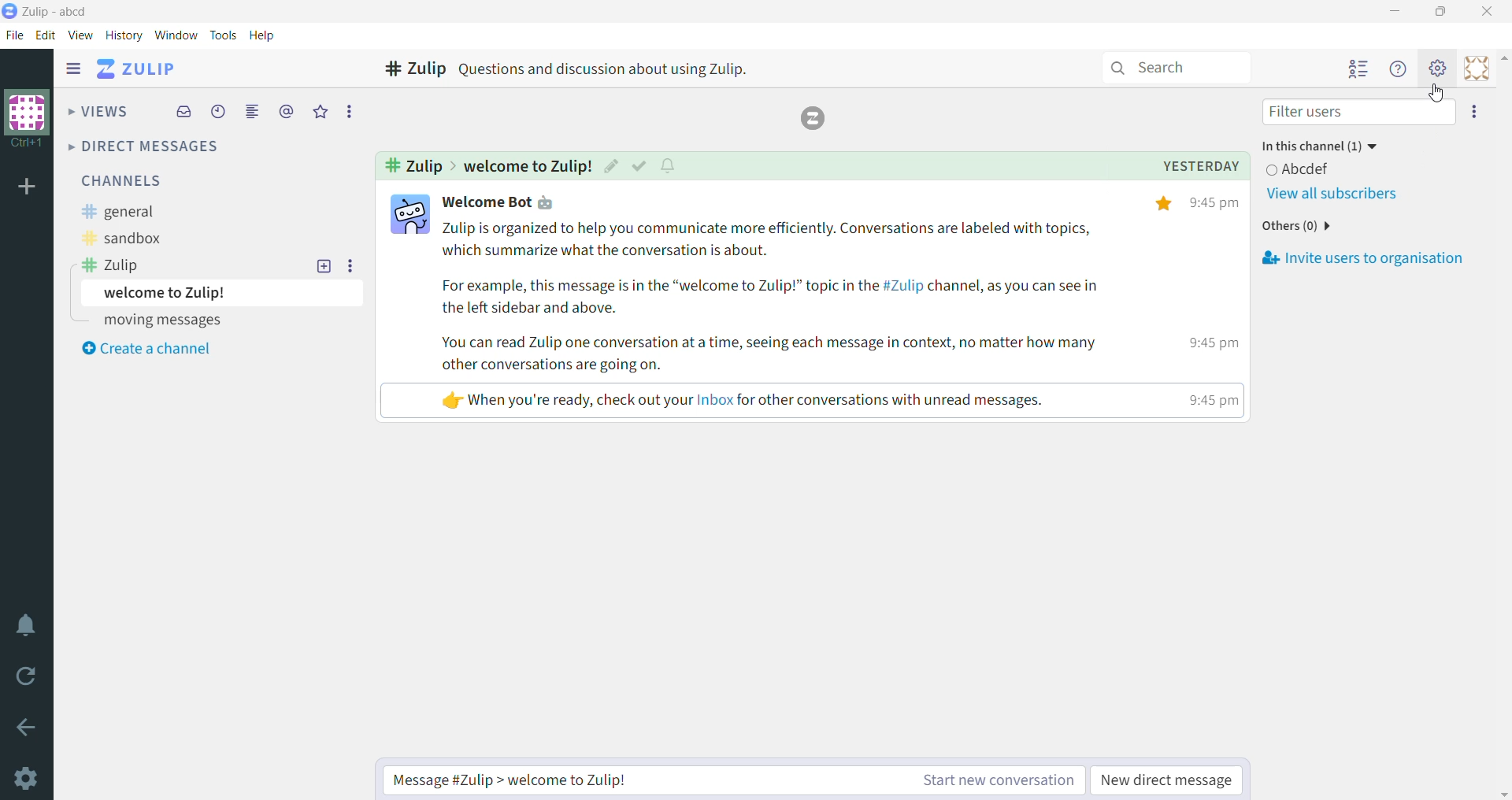 The height and width of the screenshot is (800, 1512). I want to click on Filter users, so click(1357, 112).